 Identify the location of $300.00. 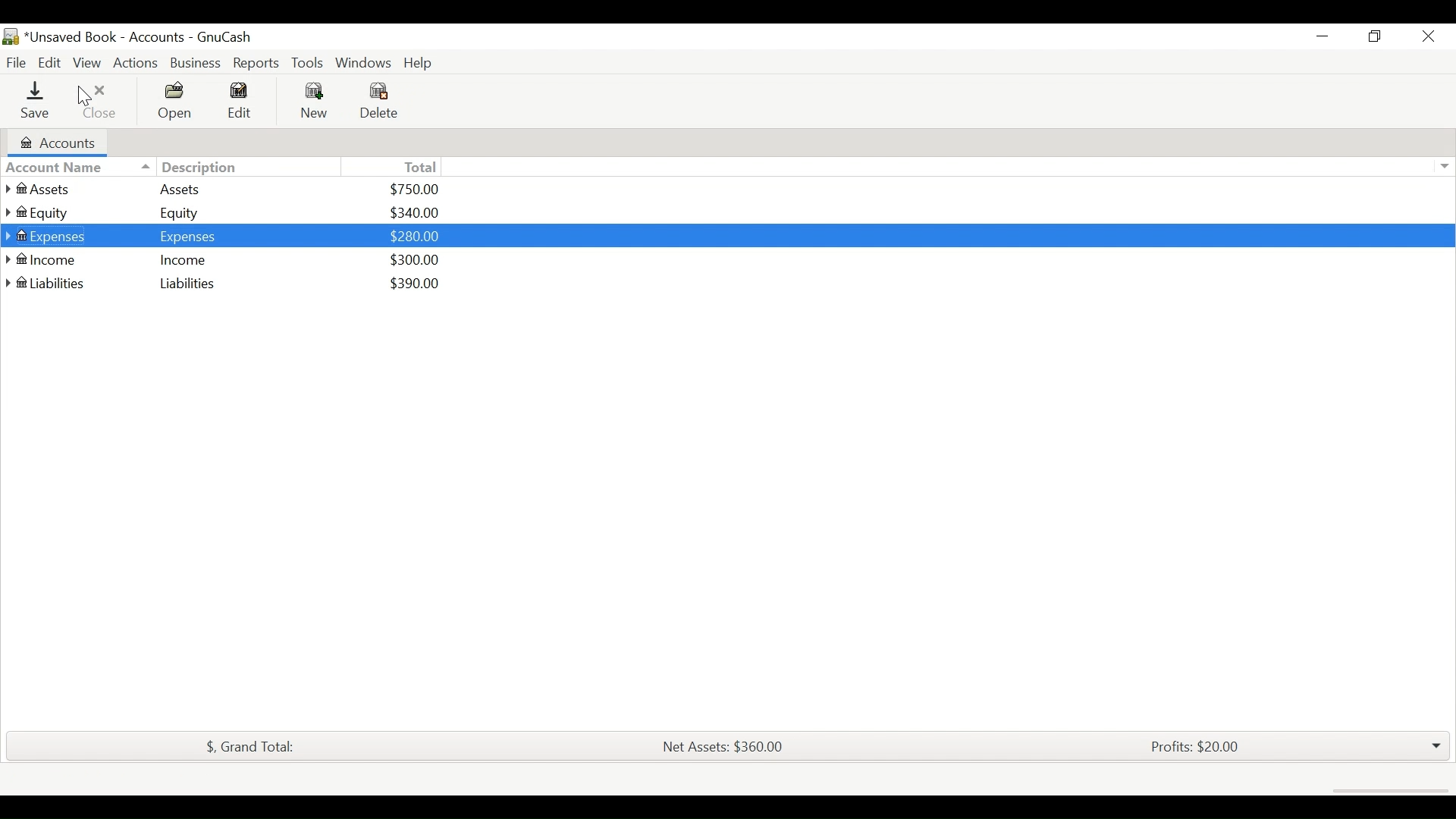
(416, 259).